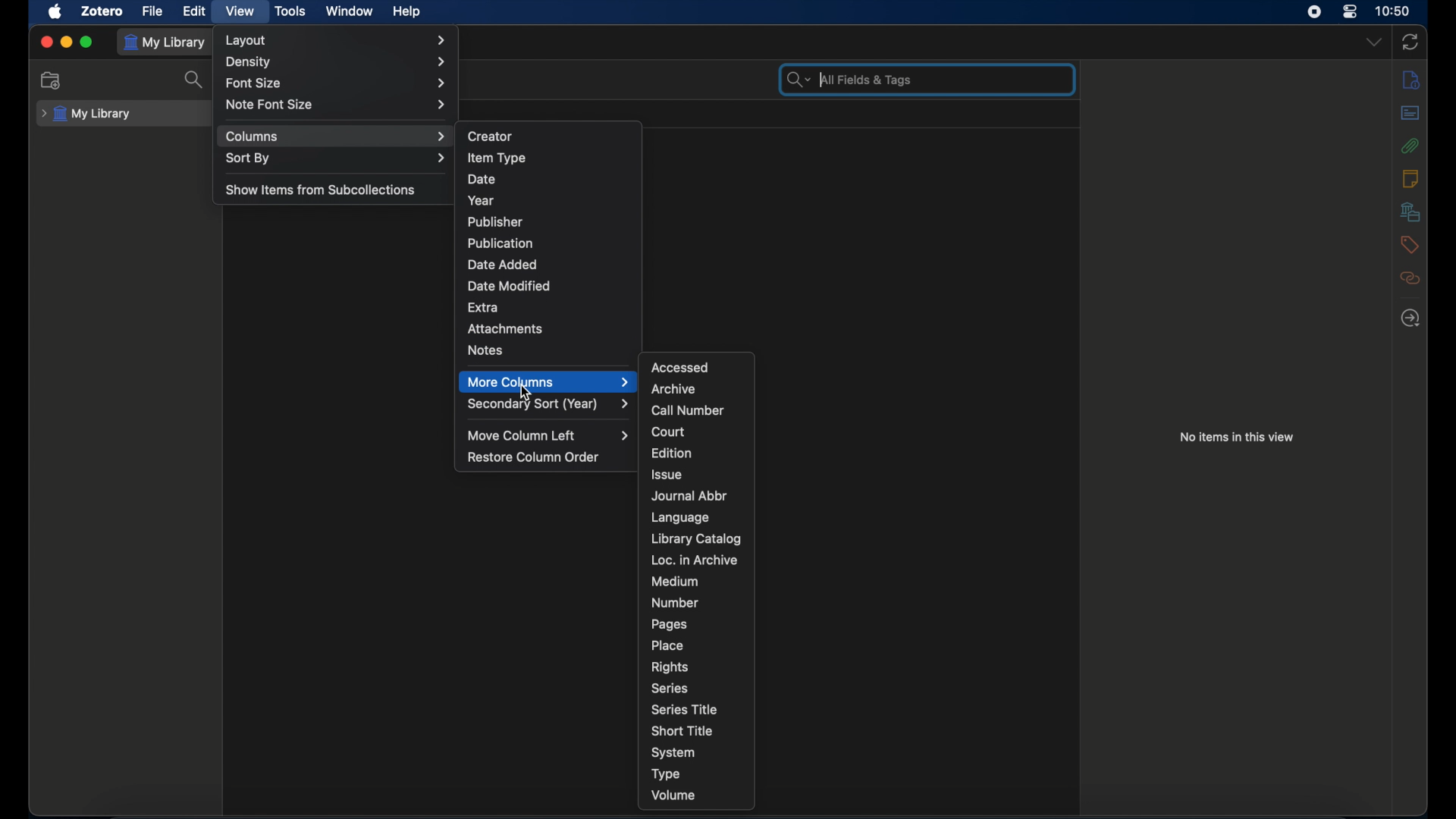  What do you see at coordinates (501, 264) in the screenshot?
I see `date added` at bounding box center [501, 264].